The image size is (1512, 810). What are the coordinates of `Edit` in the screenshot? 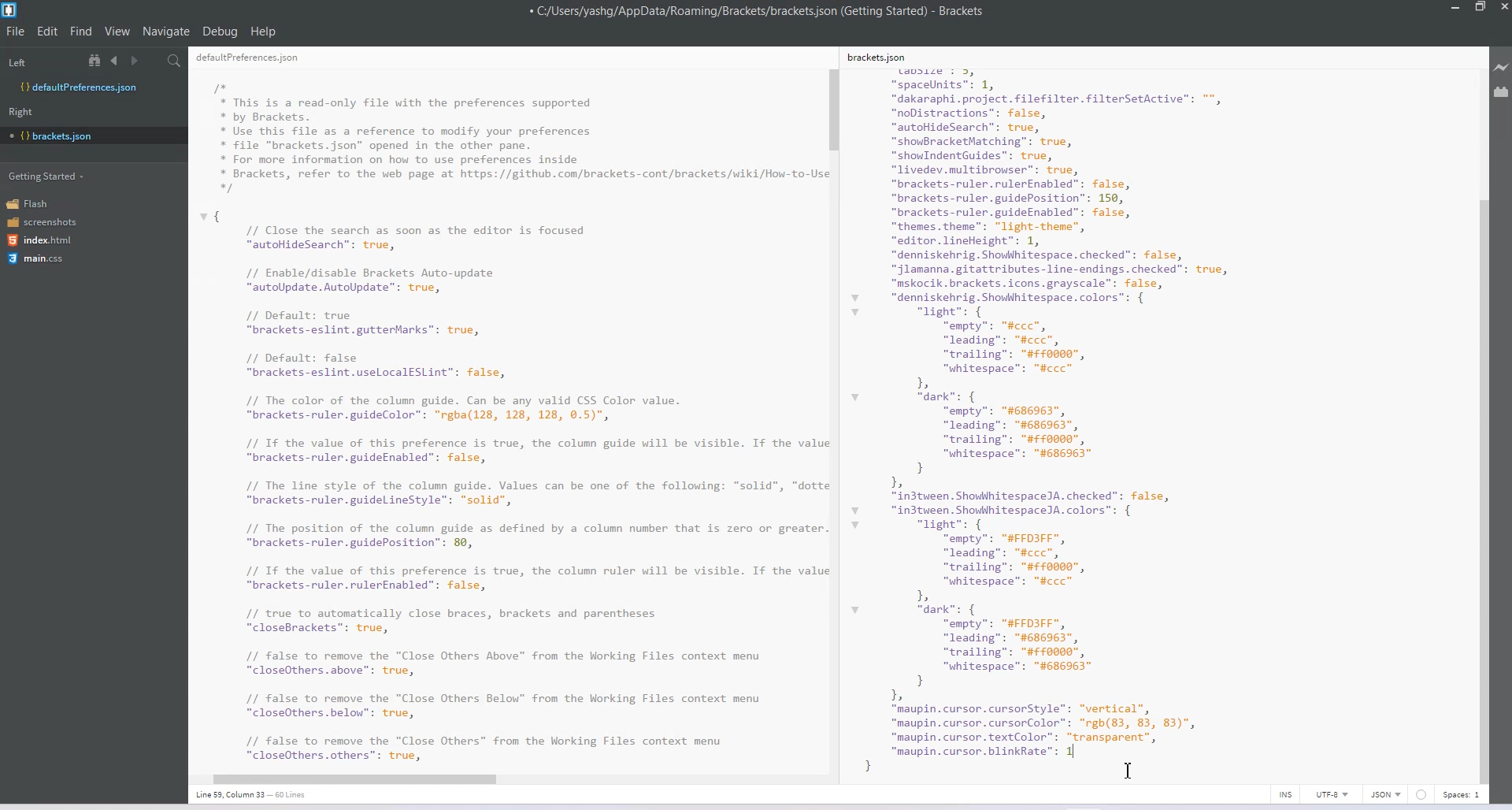 It's located at (49, 31).